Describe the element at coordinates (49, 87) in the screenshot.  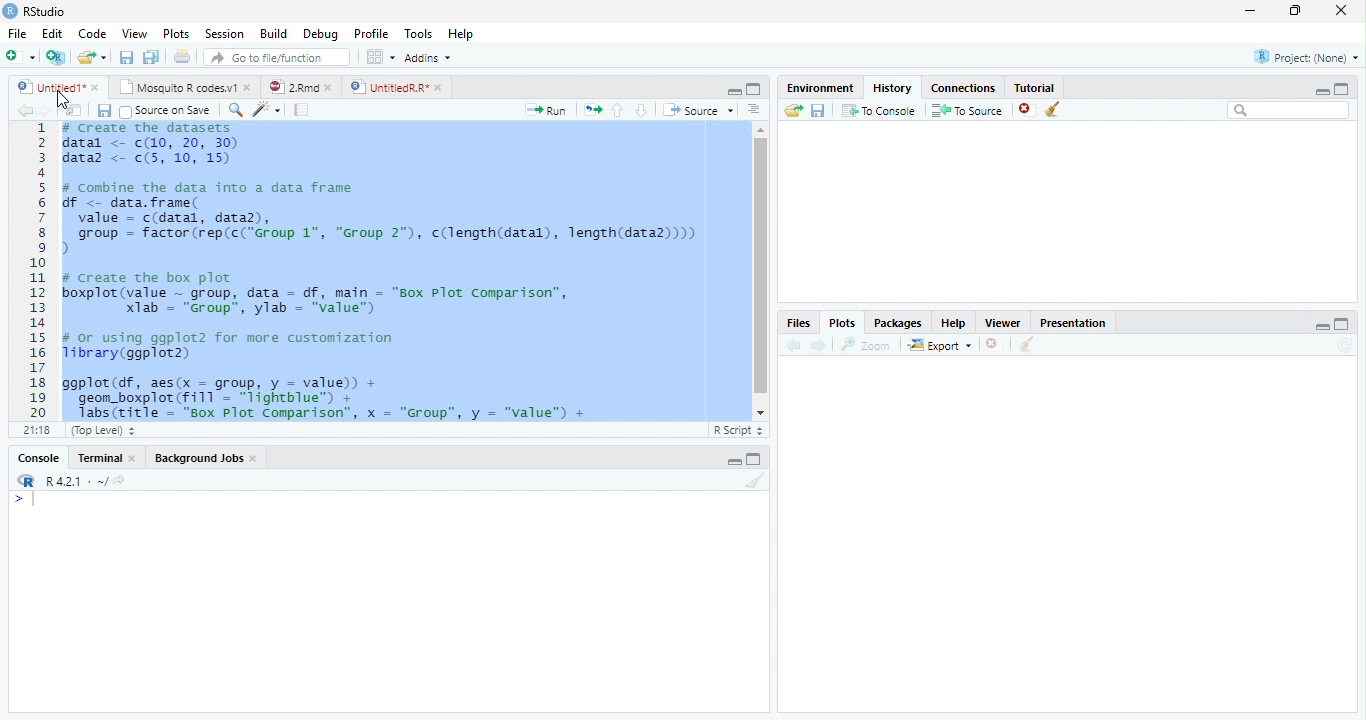
I see `Untitled1*` at that location.